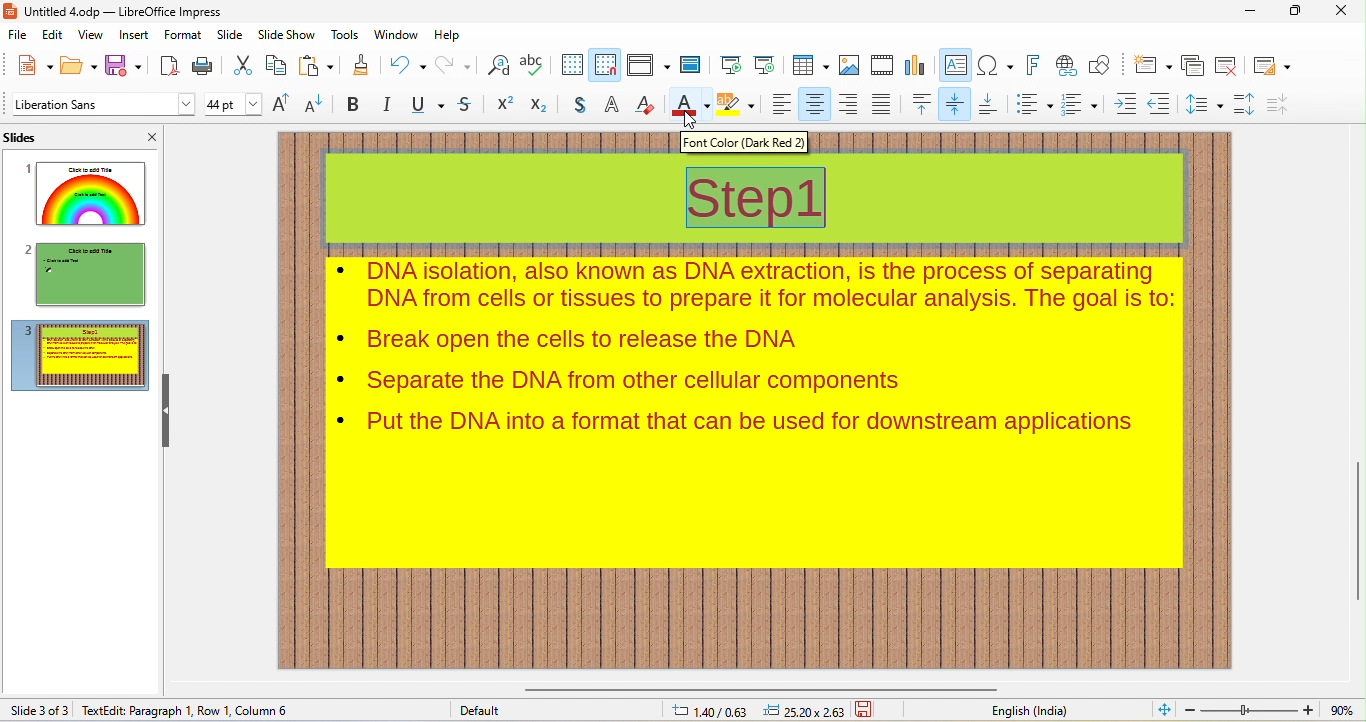 The width and height of the screenshot is (1366, 722). Describe the element at coordinates (79, 355) in the screenshot. I see `slide3` at that location.